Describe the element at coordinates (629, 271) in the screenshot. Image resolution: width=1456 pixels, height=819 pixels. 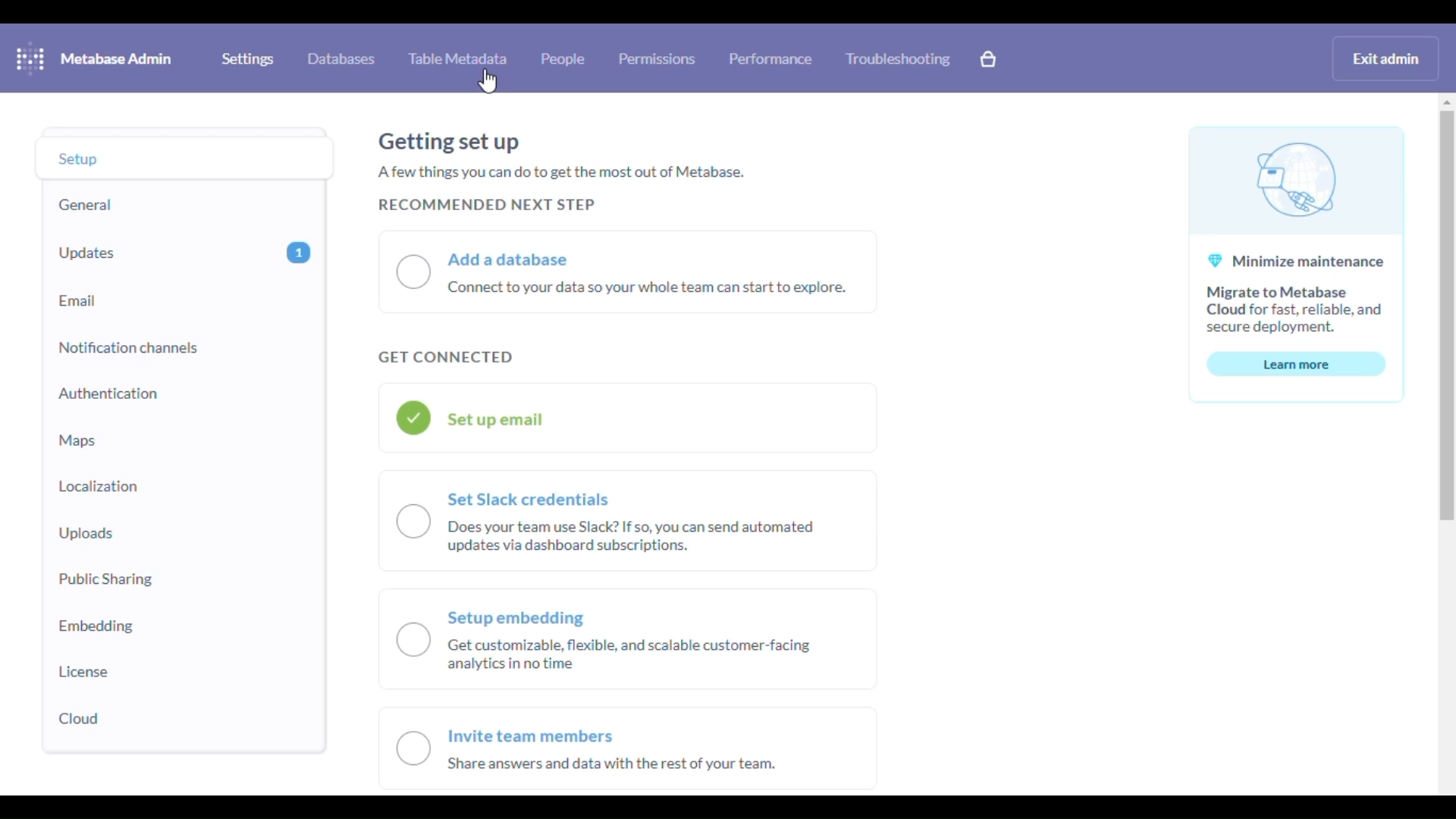
I see `add a database` at that location.